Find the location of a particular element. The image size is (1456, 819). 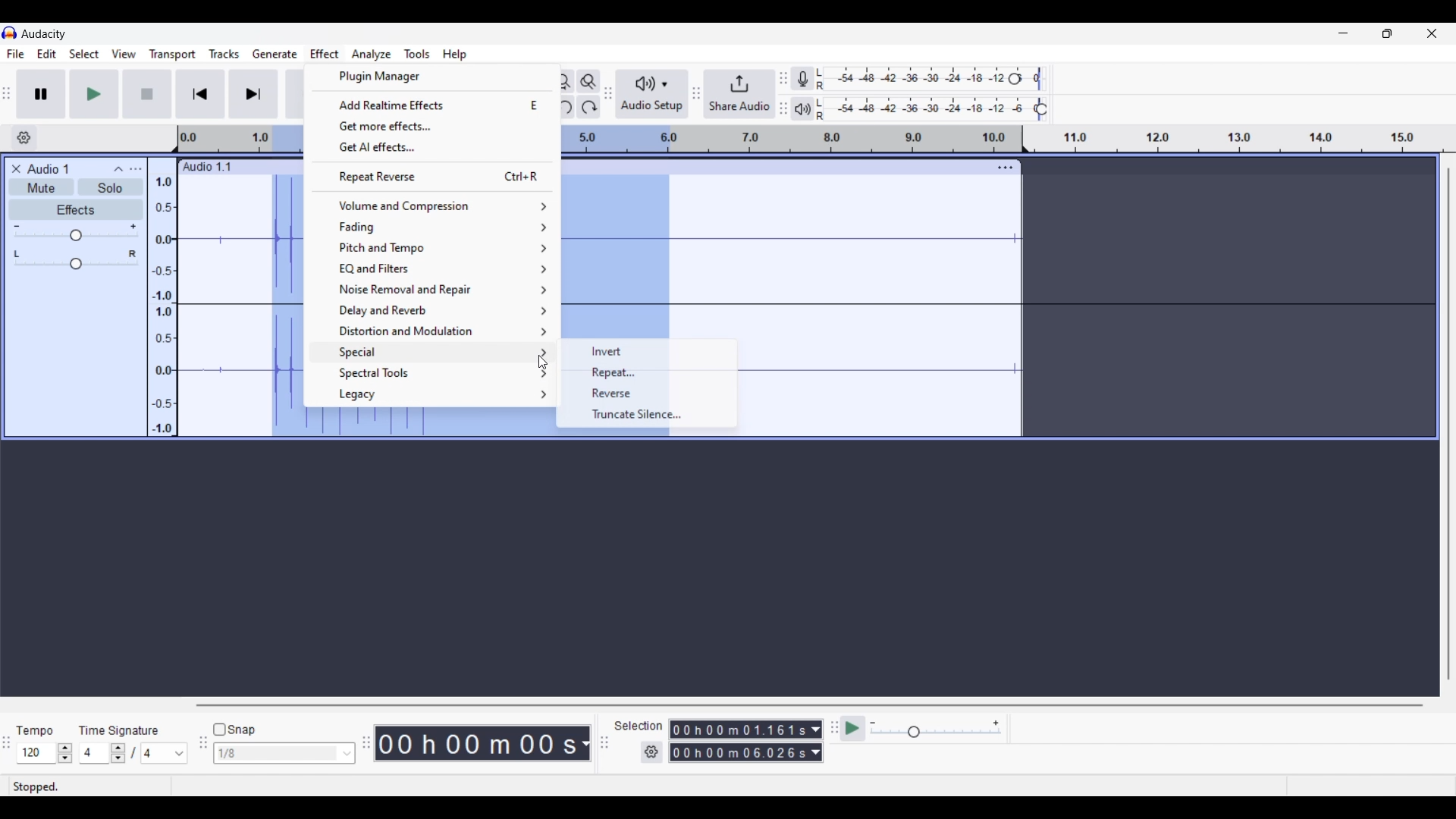

Delay and reverb options is located at coordinates (433, 310).